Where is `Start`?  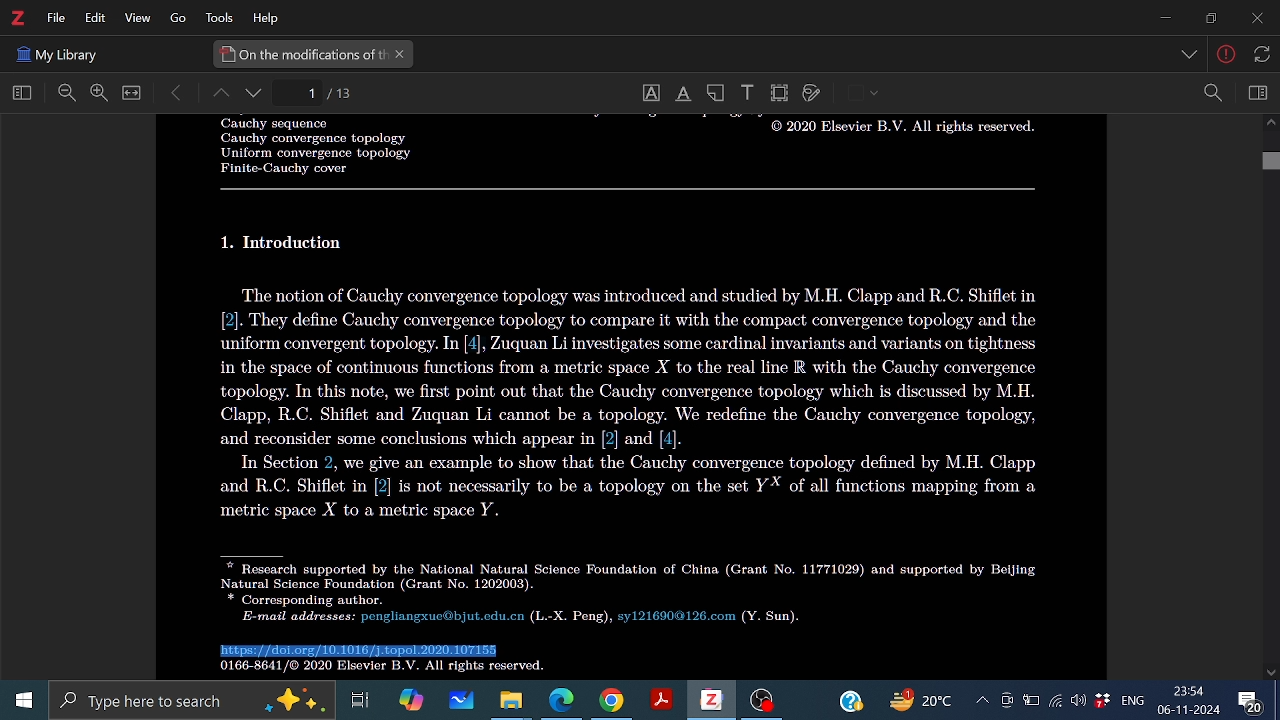 Start is located at coordinates (19, 701).